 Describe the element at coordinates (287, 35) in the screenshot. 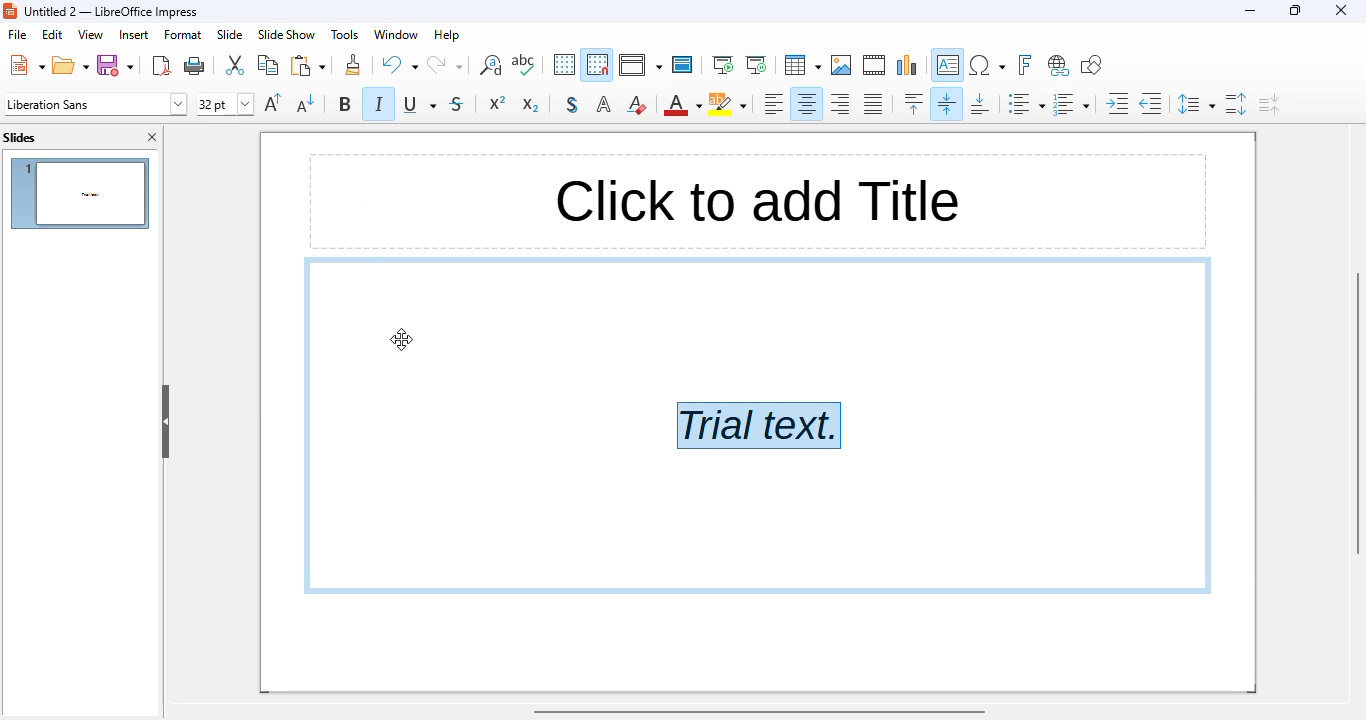

I see `slideshow` at that location.